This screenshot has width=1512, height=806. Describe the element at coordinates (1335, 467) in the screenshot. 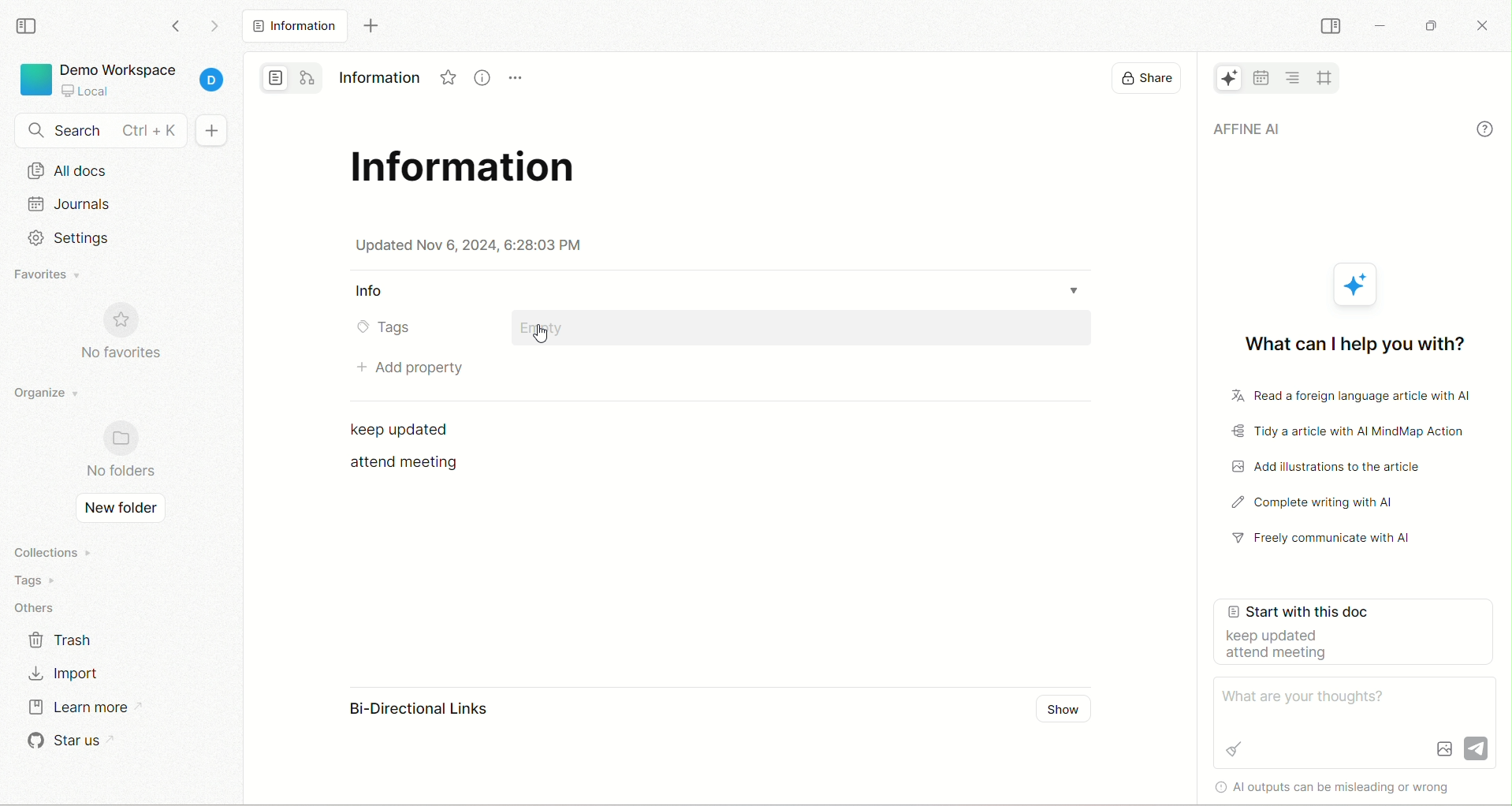

I see `add illustrations to the article` at that location.